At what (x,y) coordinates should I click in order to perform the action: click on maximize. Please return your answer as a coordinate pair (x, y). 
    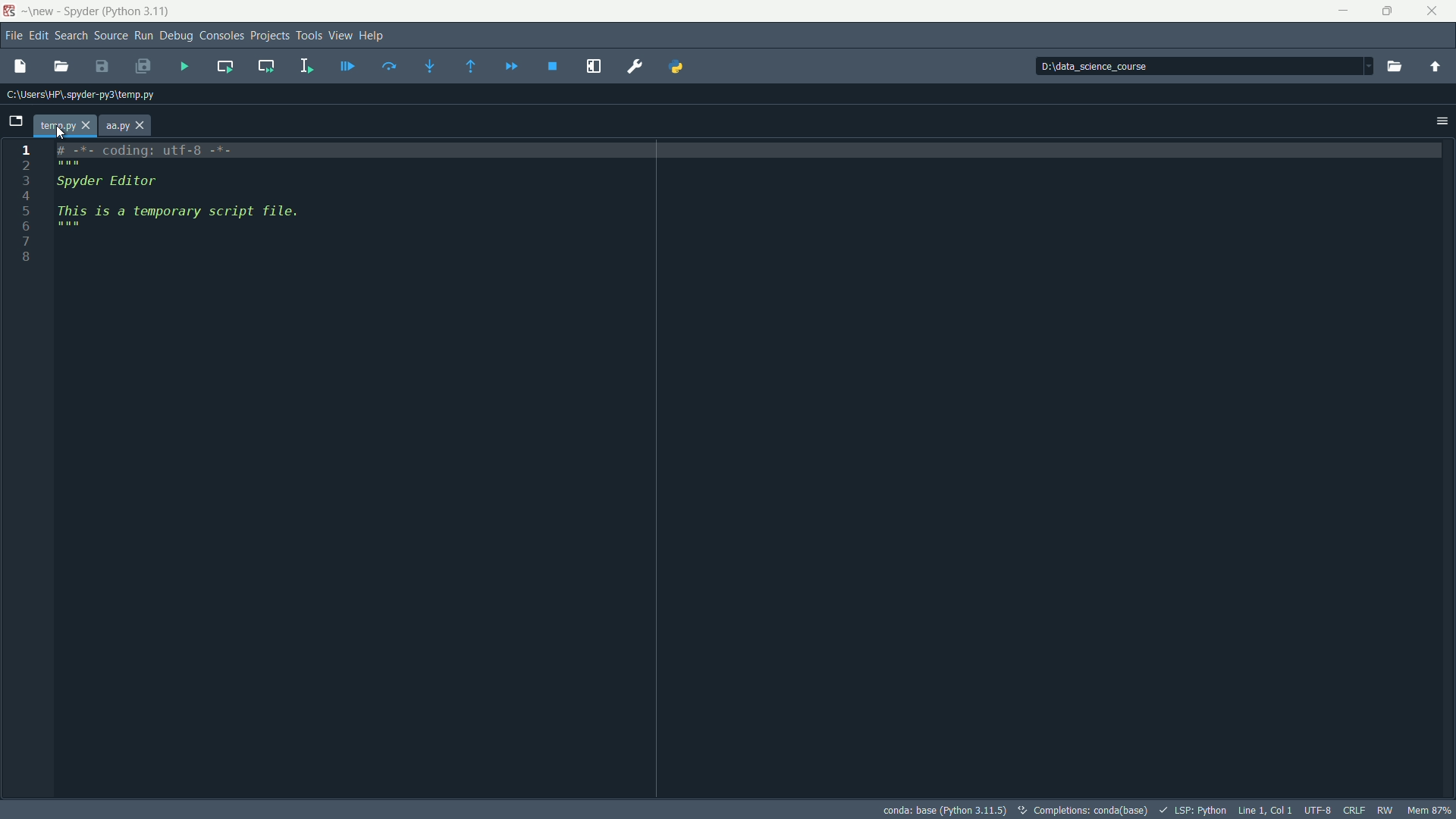
    Looking at the image, I should click on (1384, 10).